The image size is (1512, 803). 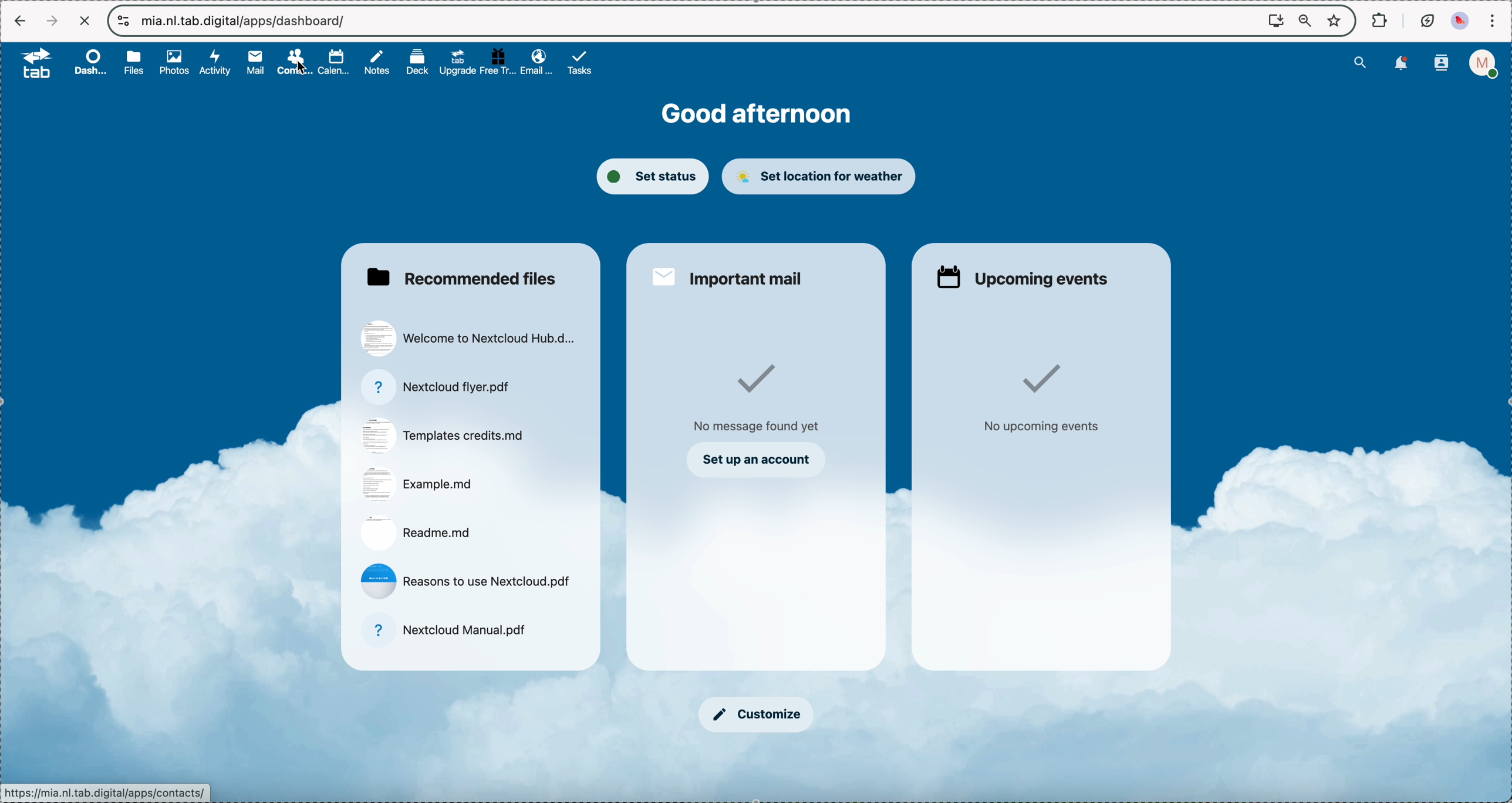 What do you see at coordinates (18, 19) in the screenshot?
I see `navigate back` at bounding box center [18, 19].